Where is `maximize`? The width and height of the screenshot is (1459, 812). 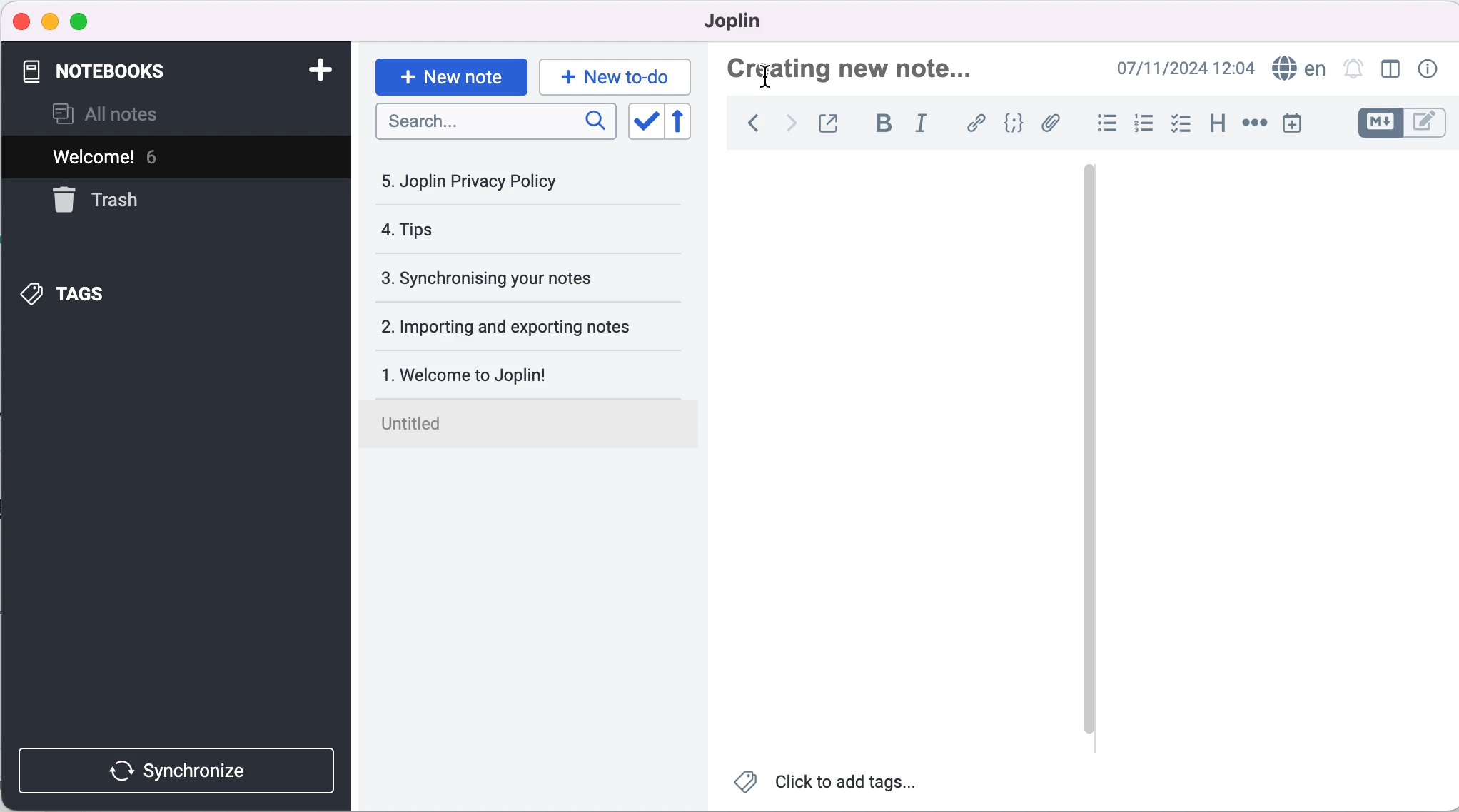 maximize is located at coordinates (88, 21).